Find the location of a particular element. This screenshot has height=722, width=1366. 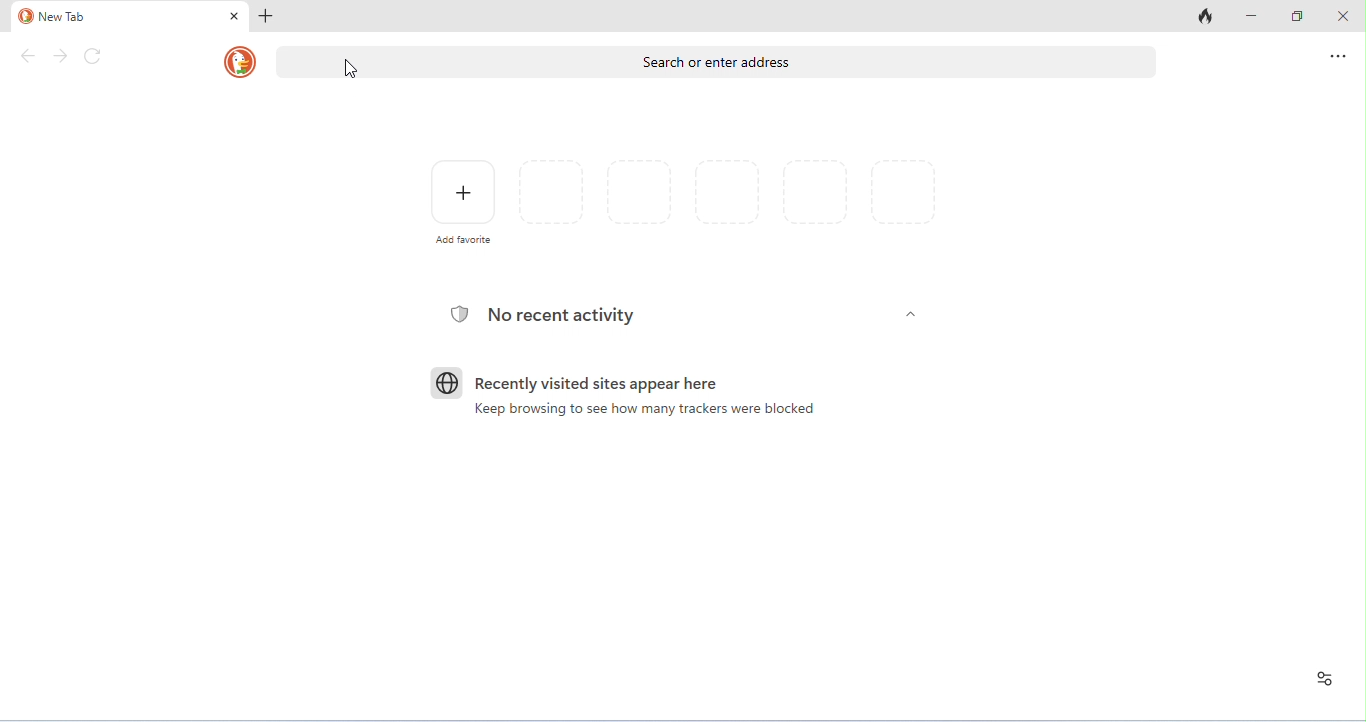

search or enter address is located at coordinates (716, 62).